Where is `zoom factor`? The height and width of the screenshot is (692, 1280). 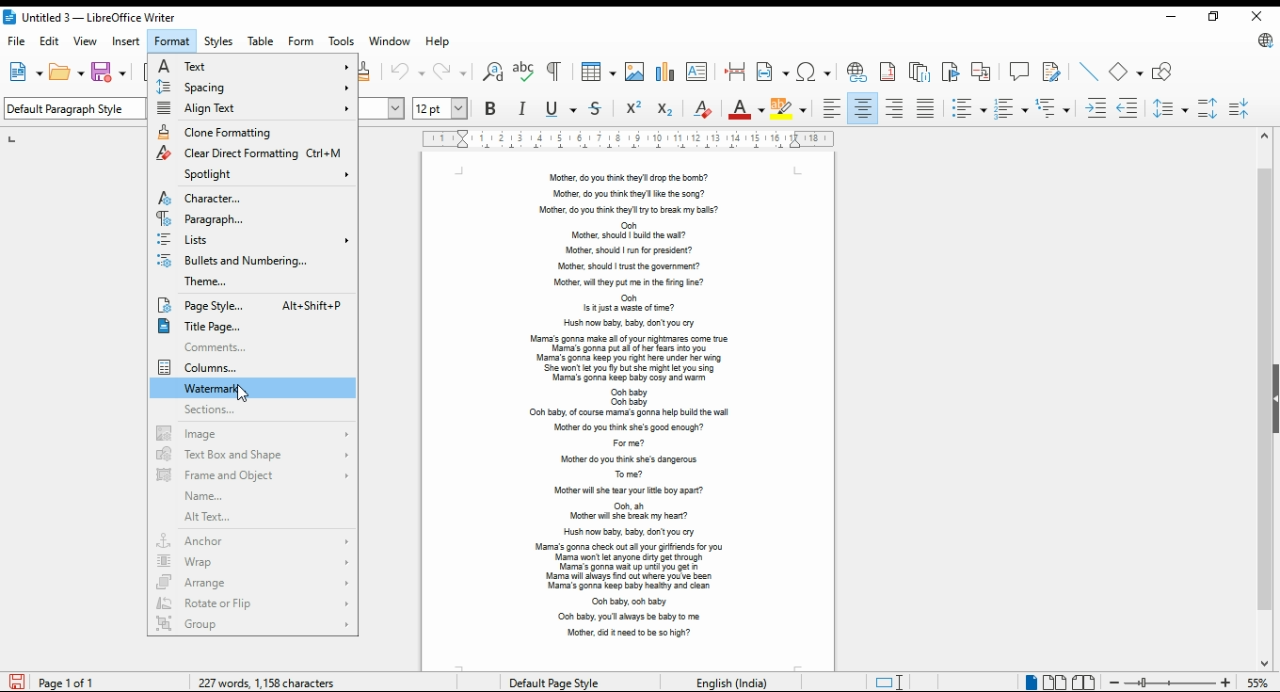 zoom factor is located at coordinates (1259, 683).